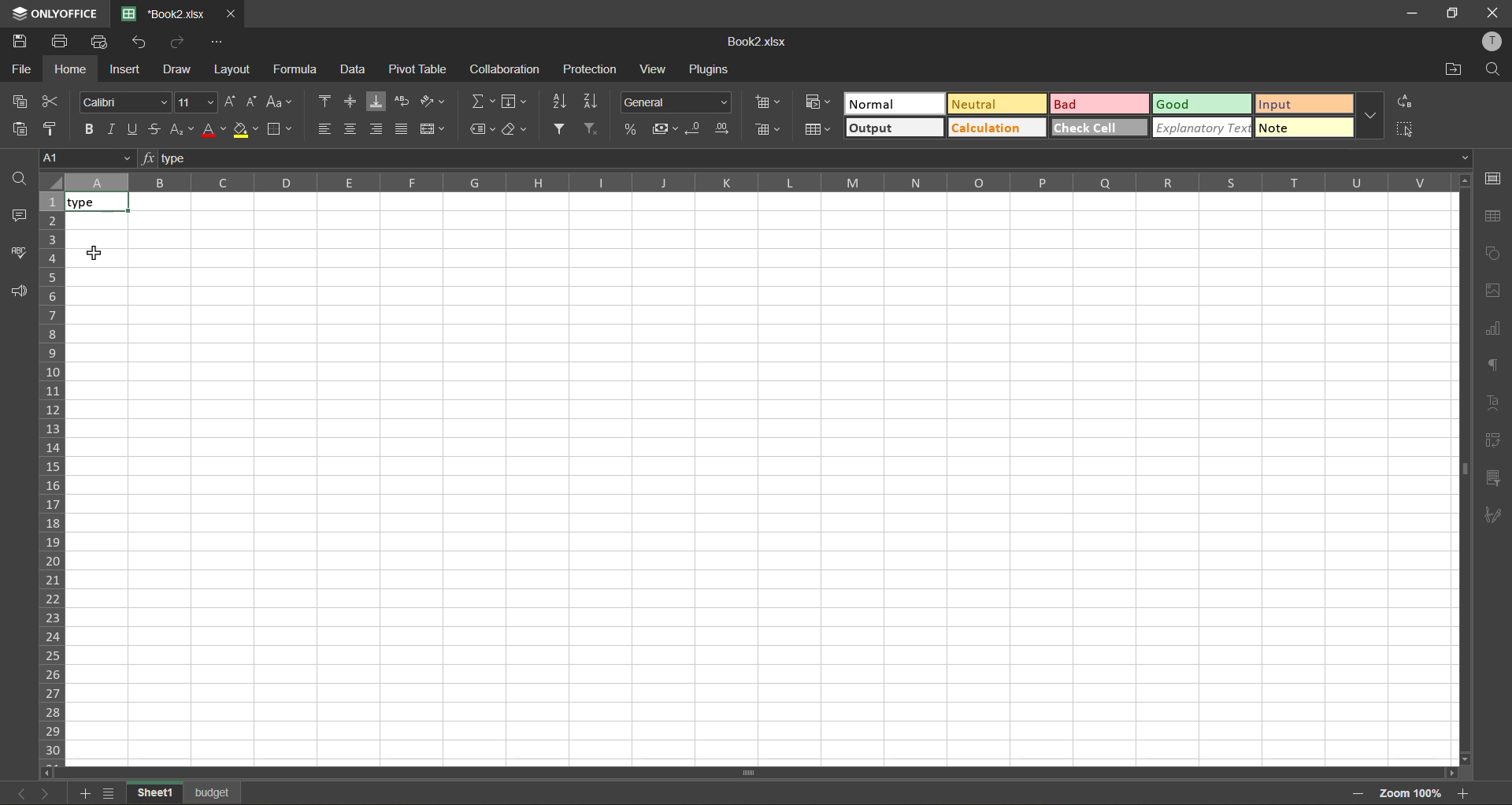 The height and width of the screenshot is (805, 1512). Describe the element at coordinates (231, 69) in the screenshot. I see `layout` at that location.